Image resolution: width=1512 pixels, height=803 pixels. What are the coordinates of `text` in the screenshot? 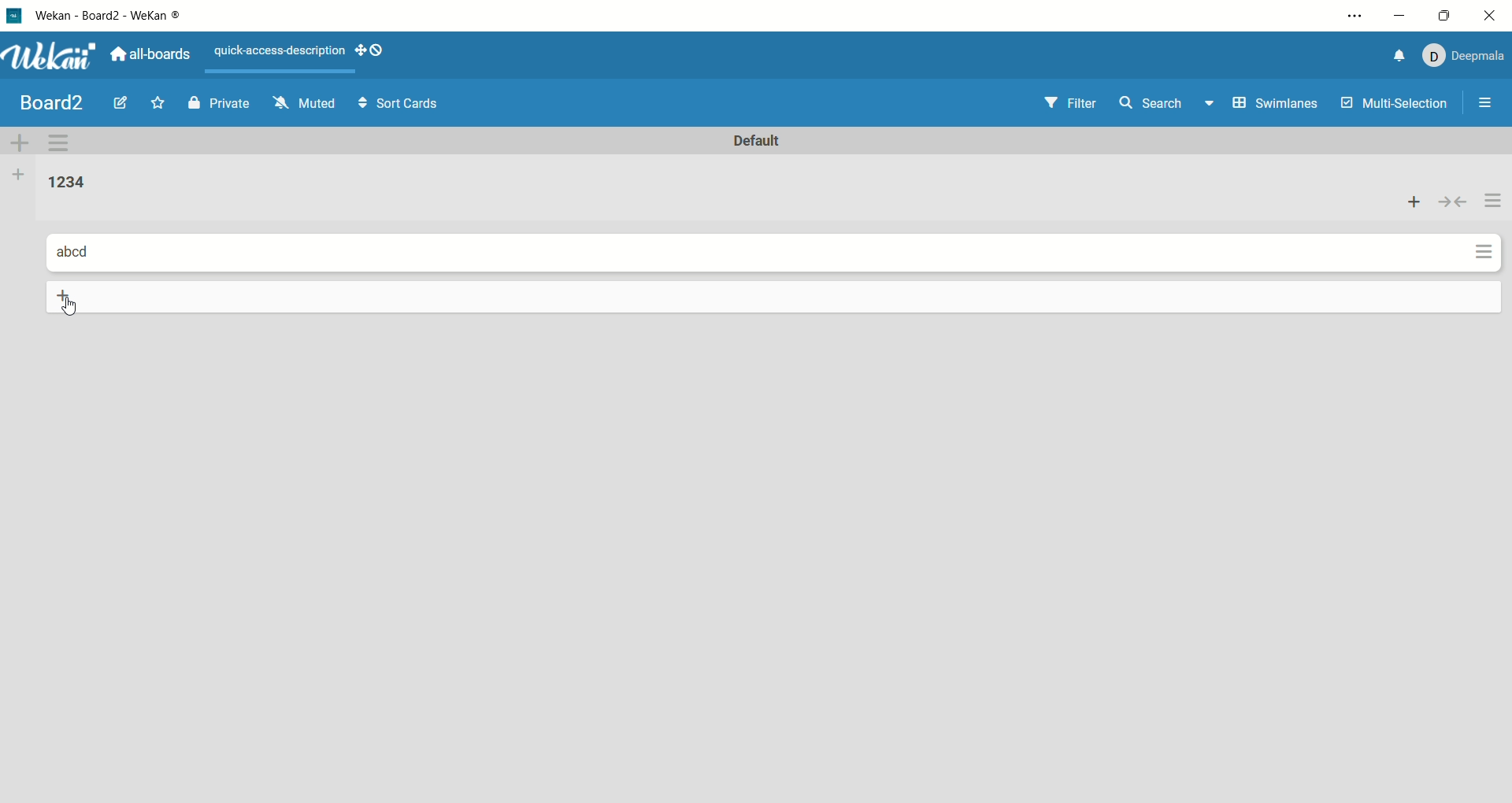 It's located at (272, 48).